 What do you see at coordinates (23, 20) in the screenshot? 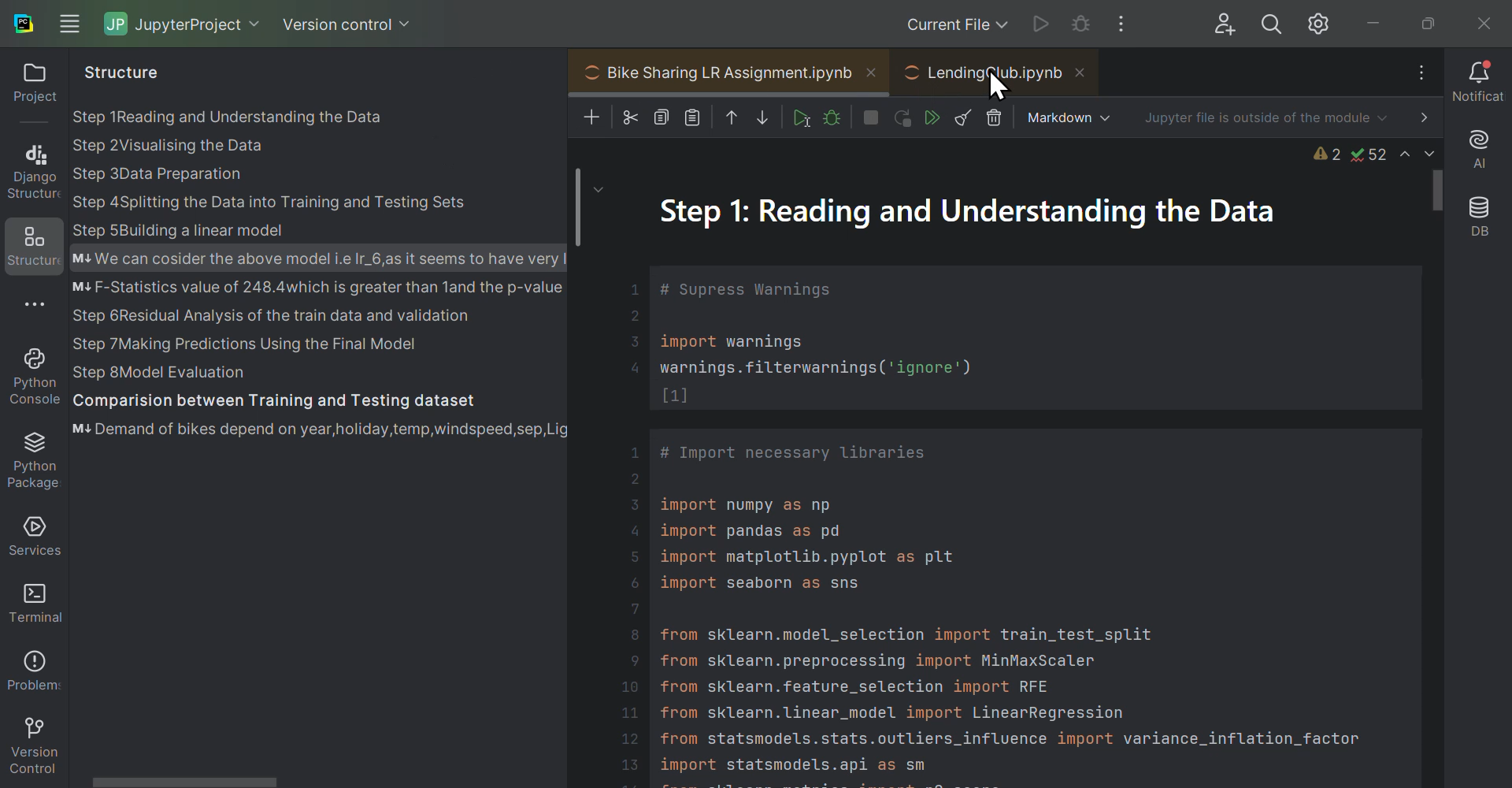
I see `auchar` at bounding box center [23, 20].